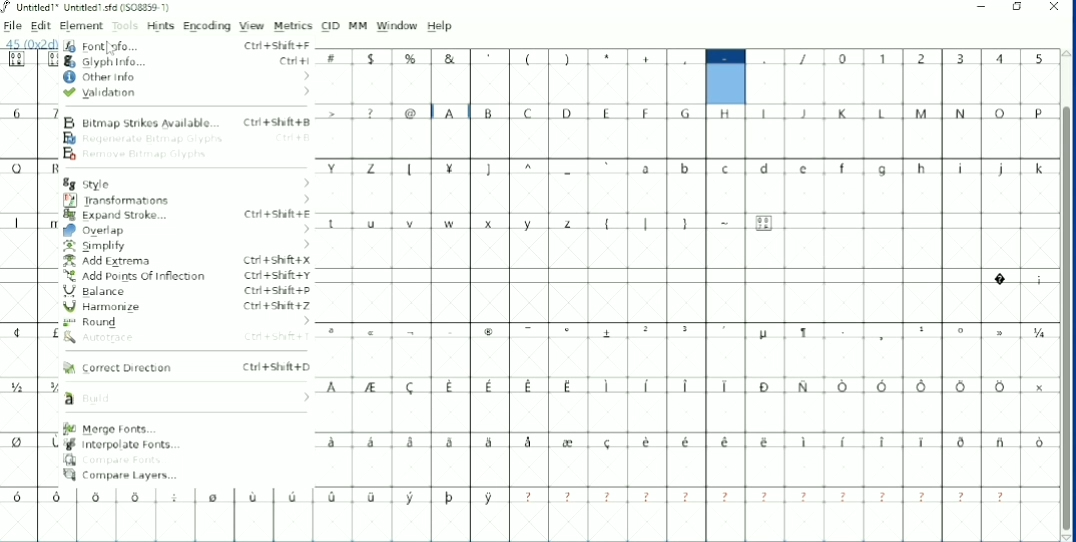 The height and width of the screenshot is (542, 1076). Describe the element at coordinates (679, 444) in the screenshot. I see `Symbols` at that location.